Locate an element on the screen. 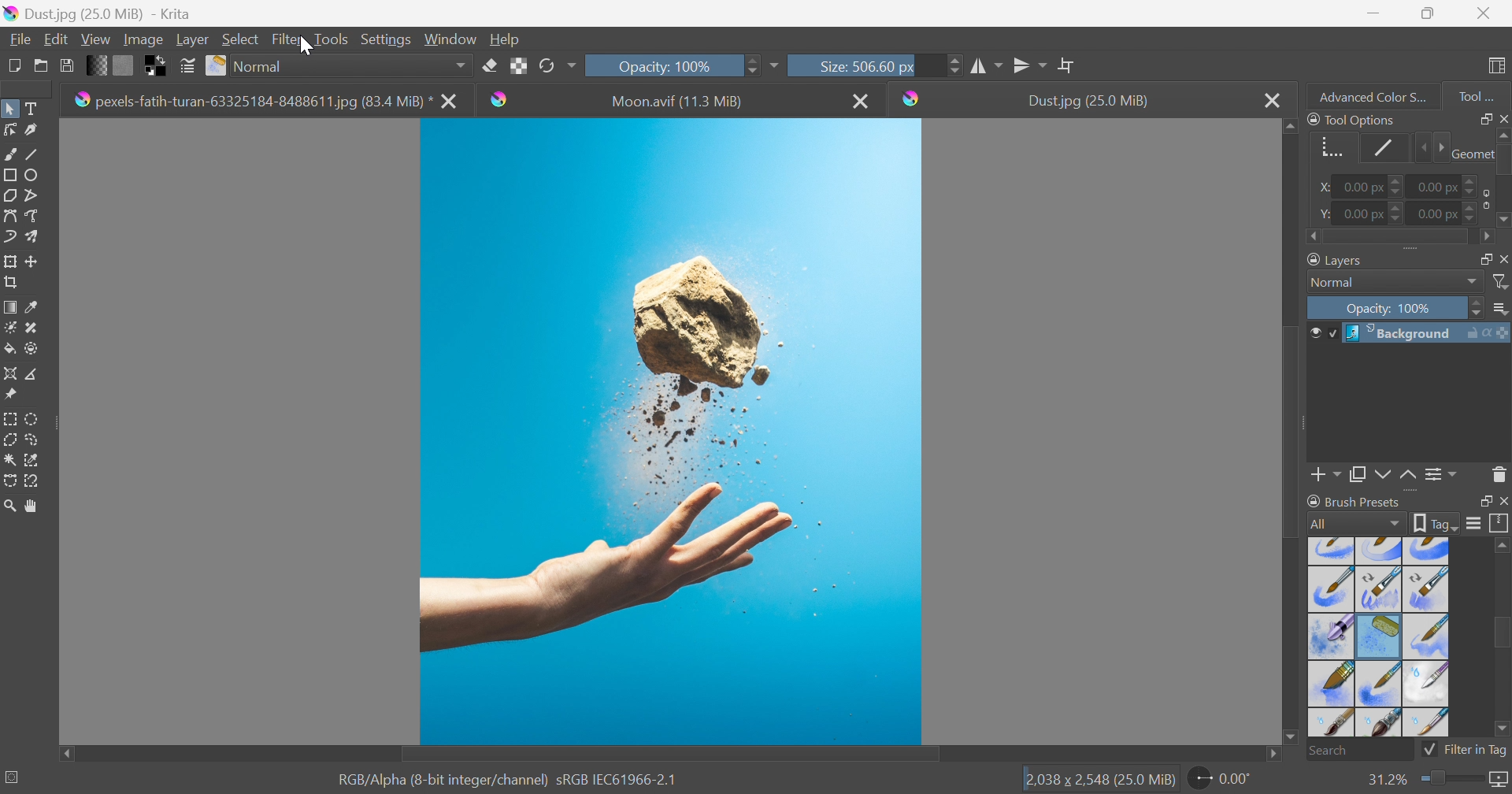 The width and height of the screenshot is (1512, 794). Scroll Bar is located at coordinates (1502, 635).